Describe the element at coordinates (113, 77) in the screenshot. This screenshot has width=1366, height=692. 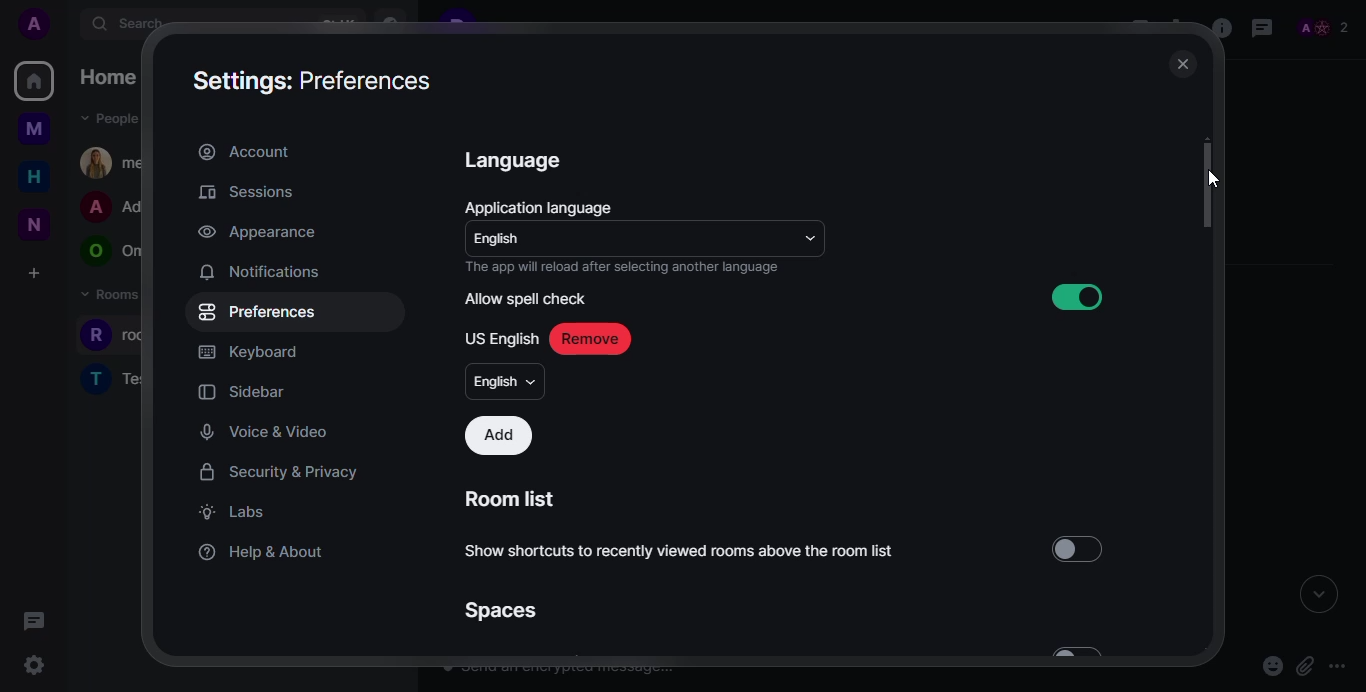
I see `home` at that location.